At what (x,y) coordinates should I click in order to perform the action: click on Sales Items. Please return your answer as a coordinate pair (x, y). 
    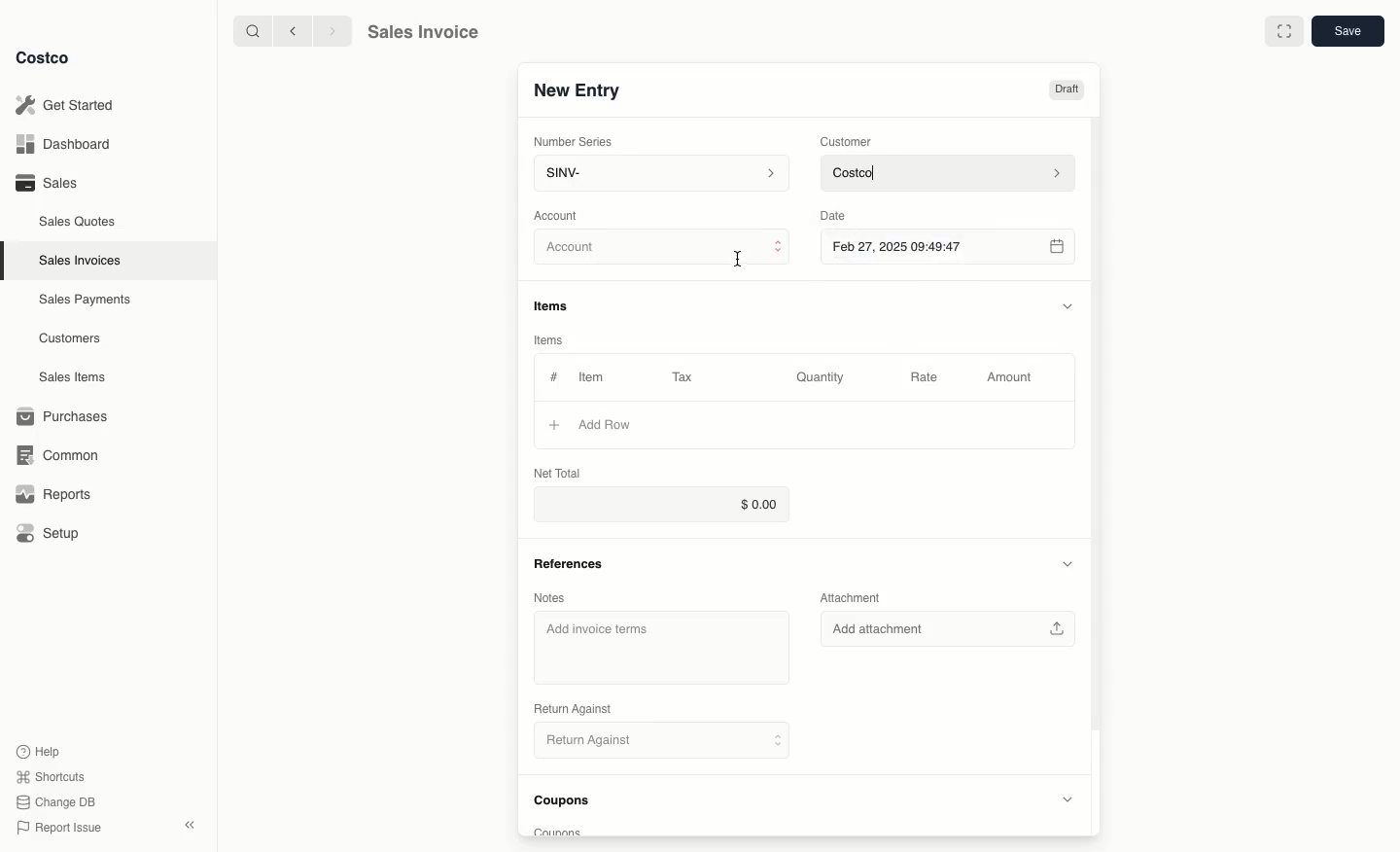
    Looking at the image, I should click on (75, 375).